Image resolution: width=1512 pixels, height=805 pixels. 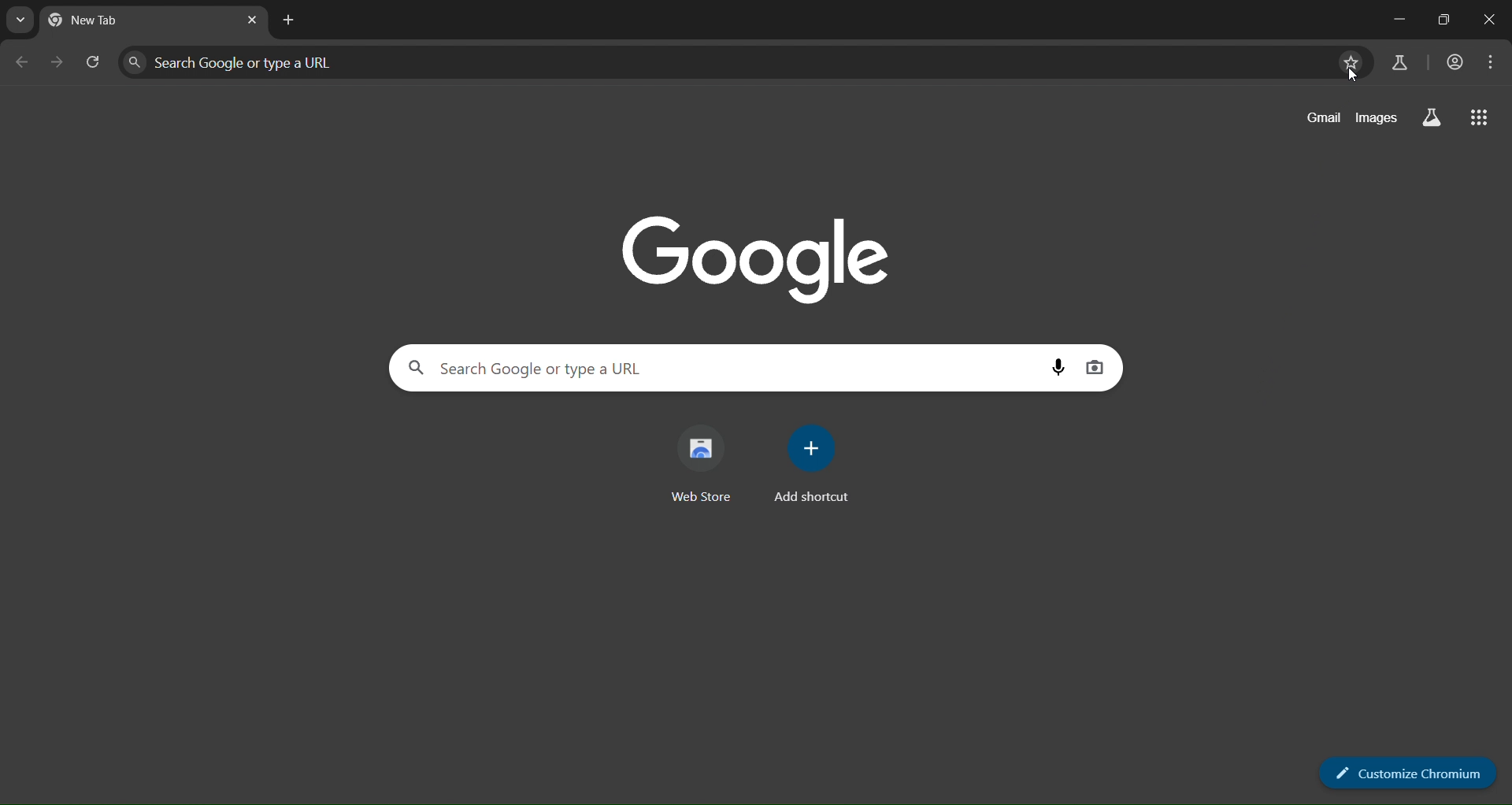 What do you see at coordinates (1320, 119) in the screenshot?
I see `gmail ` at bounding box center [1320, 119].